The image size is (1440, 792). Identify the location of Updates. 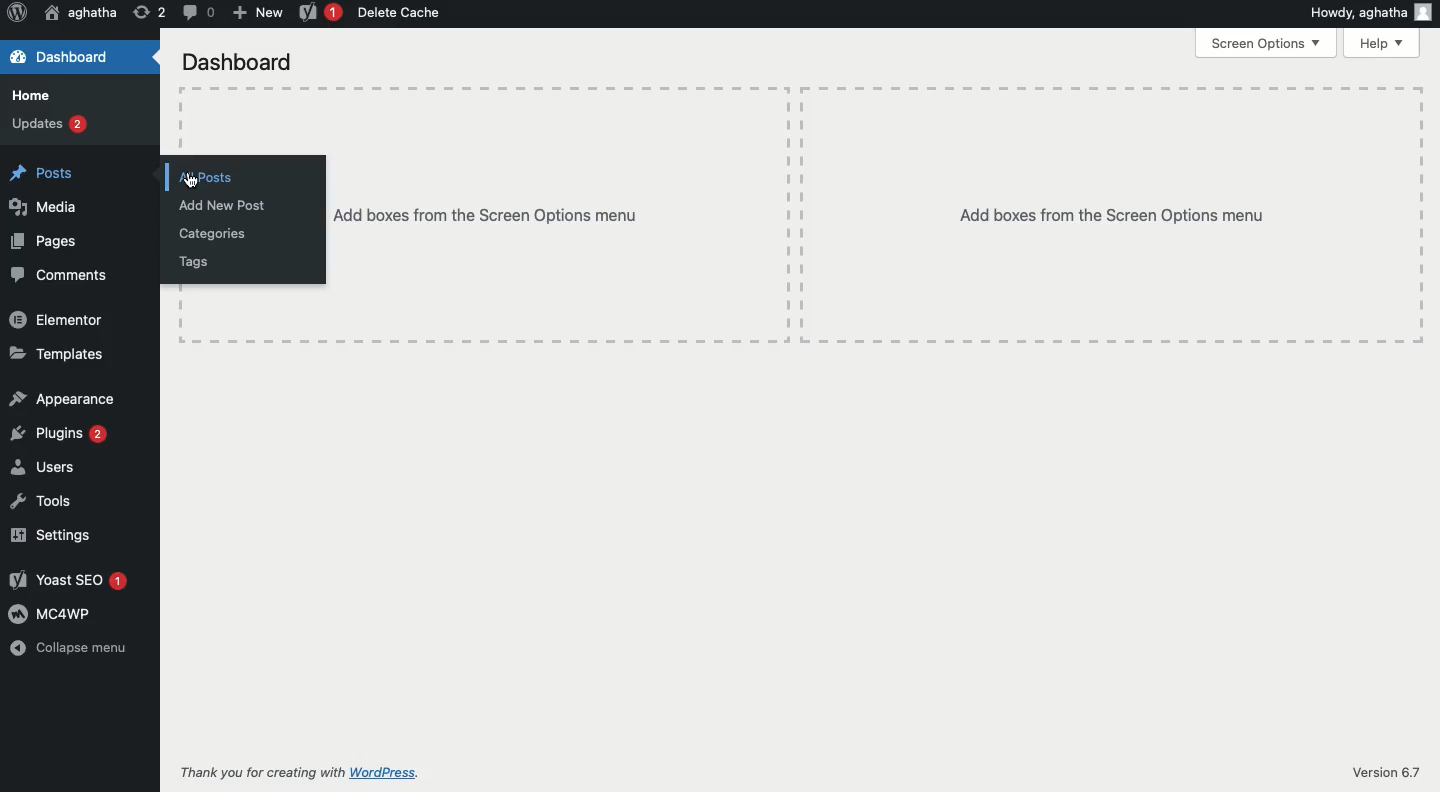
(49, 123).